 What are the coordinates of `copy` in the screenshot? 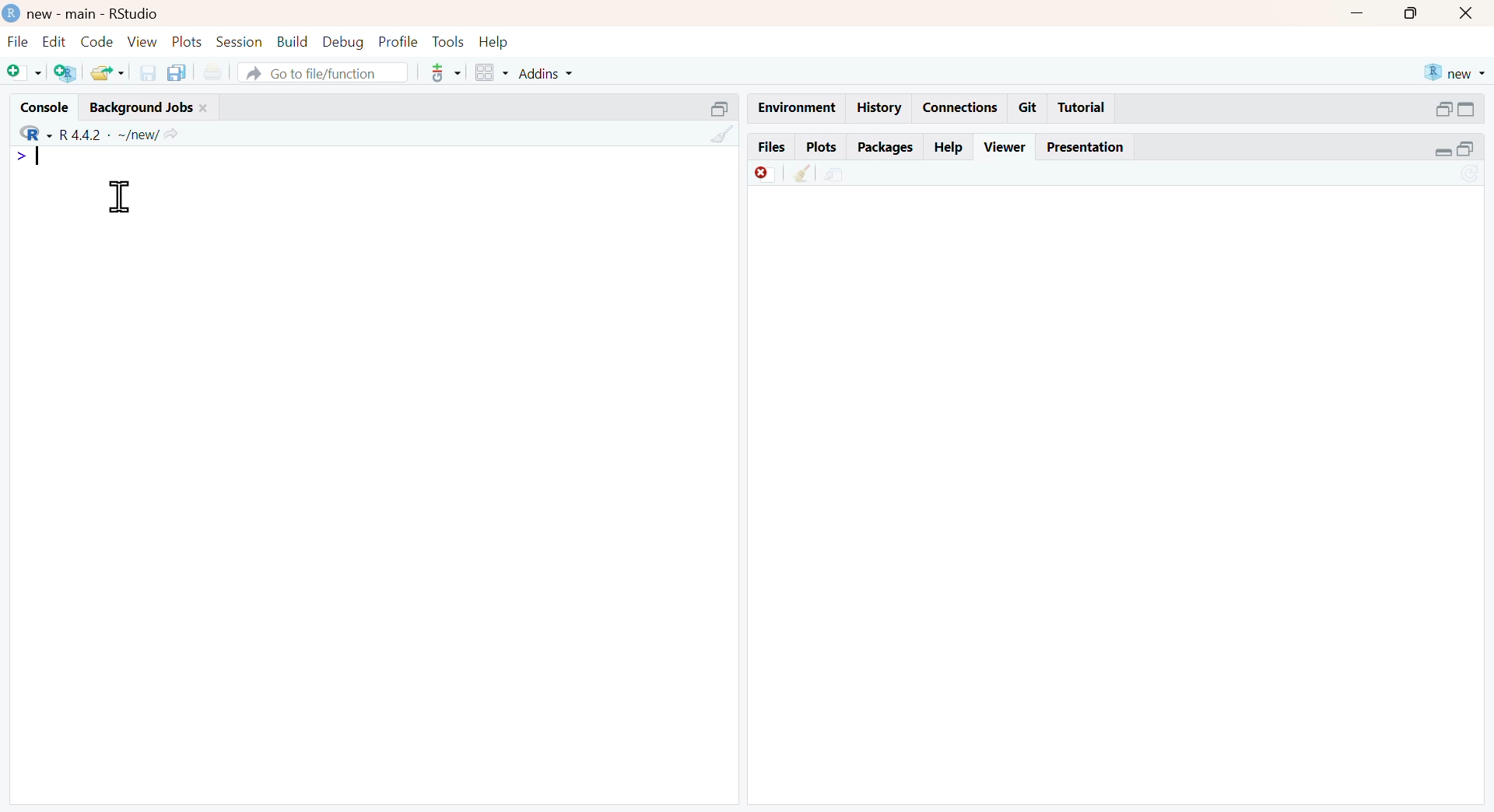 It's located at (177, 72).